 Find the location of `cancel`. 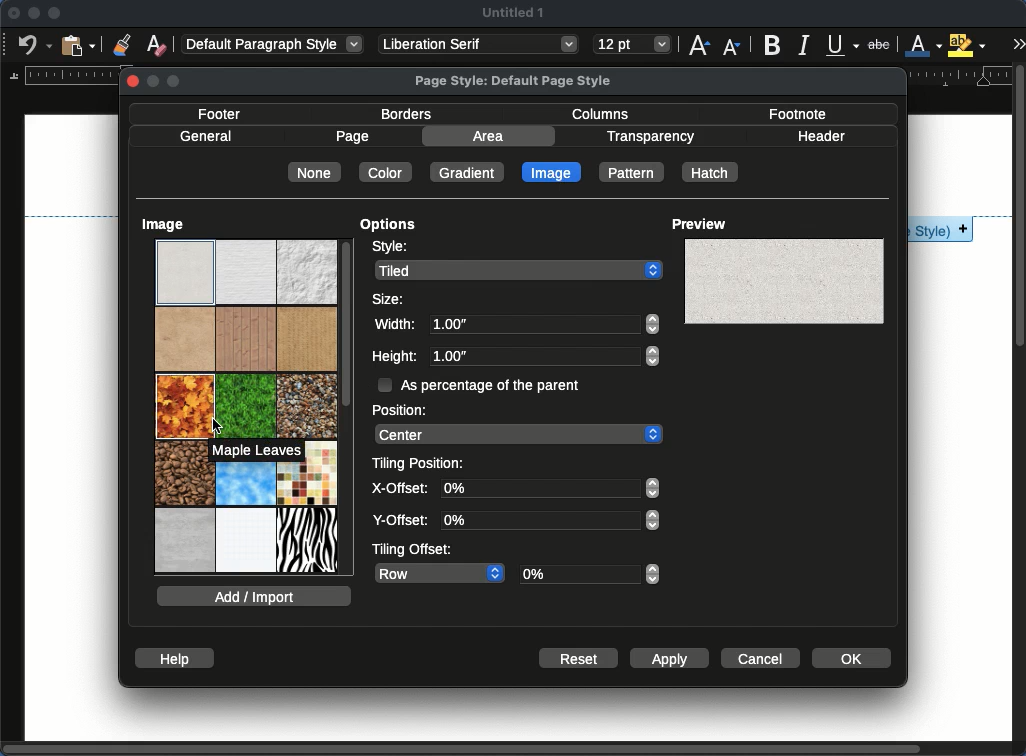

cancel is located at coordinates (762, 658).